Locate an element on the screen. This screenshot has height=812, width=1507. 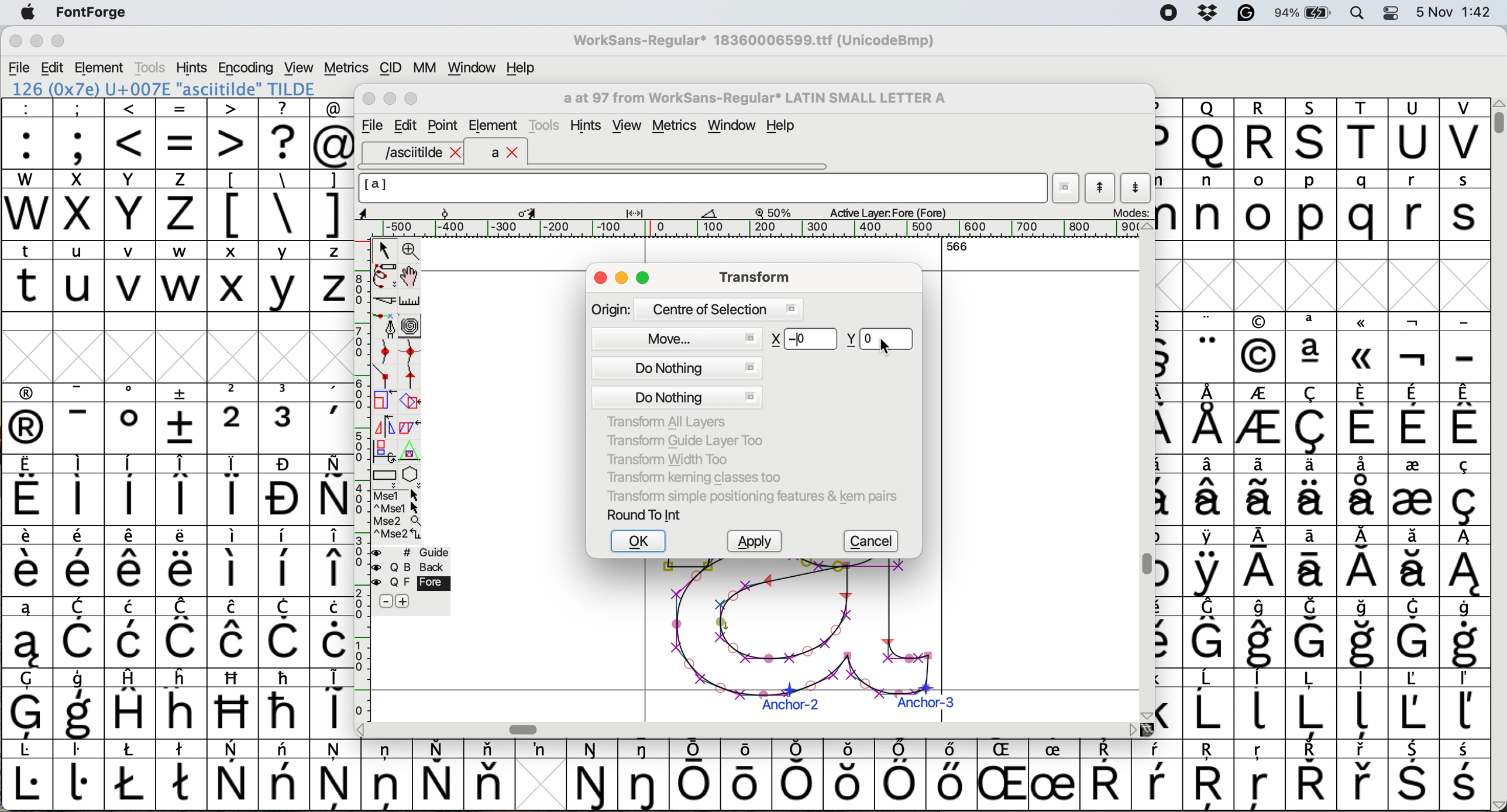
screen recorder is located at coordinates (1167, 14).